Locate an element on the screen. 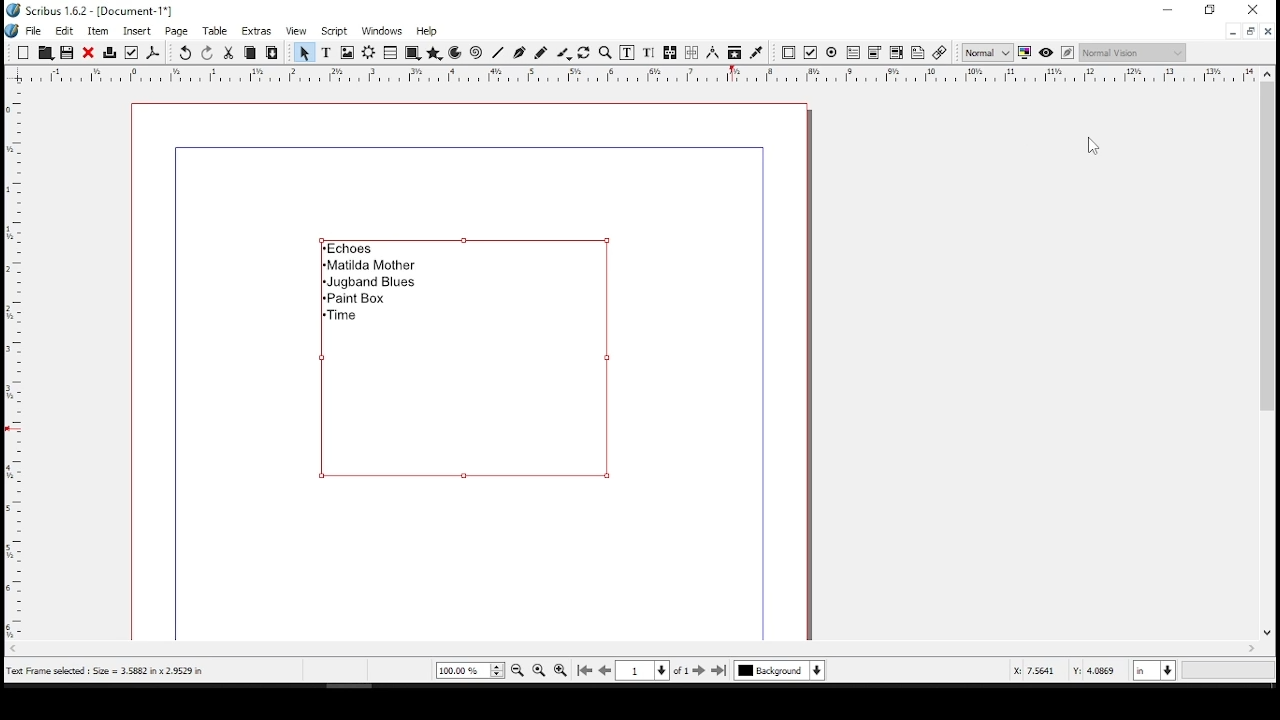 This screenshot has height=720, width=1280. scroll bar is located at coordinates (1265, 362).